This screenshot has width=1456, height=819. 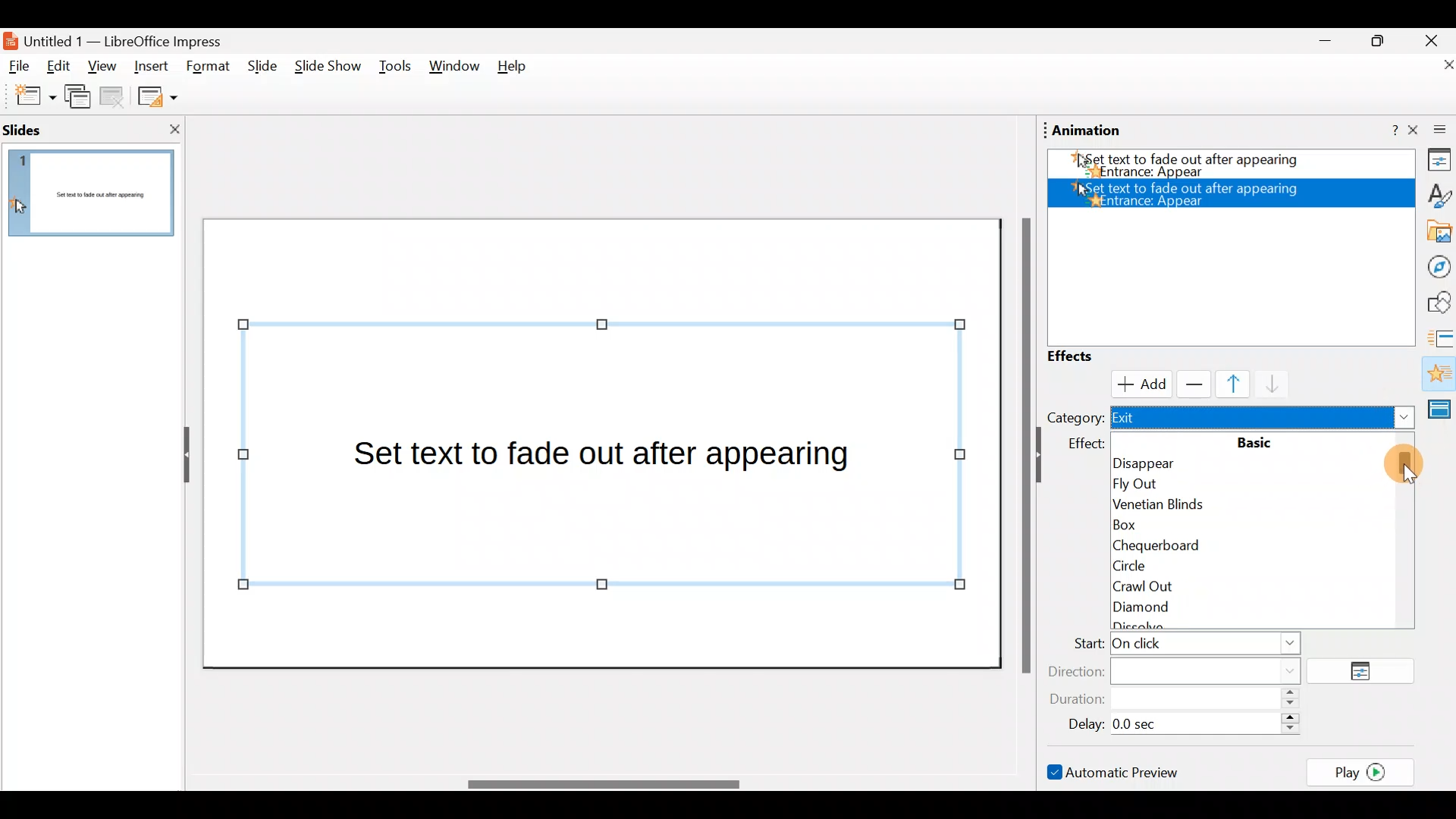 What do you see at coordinates (1263, 419) in the screenshot?
I see `Exit` at bounding box center [1263, 419].